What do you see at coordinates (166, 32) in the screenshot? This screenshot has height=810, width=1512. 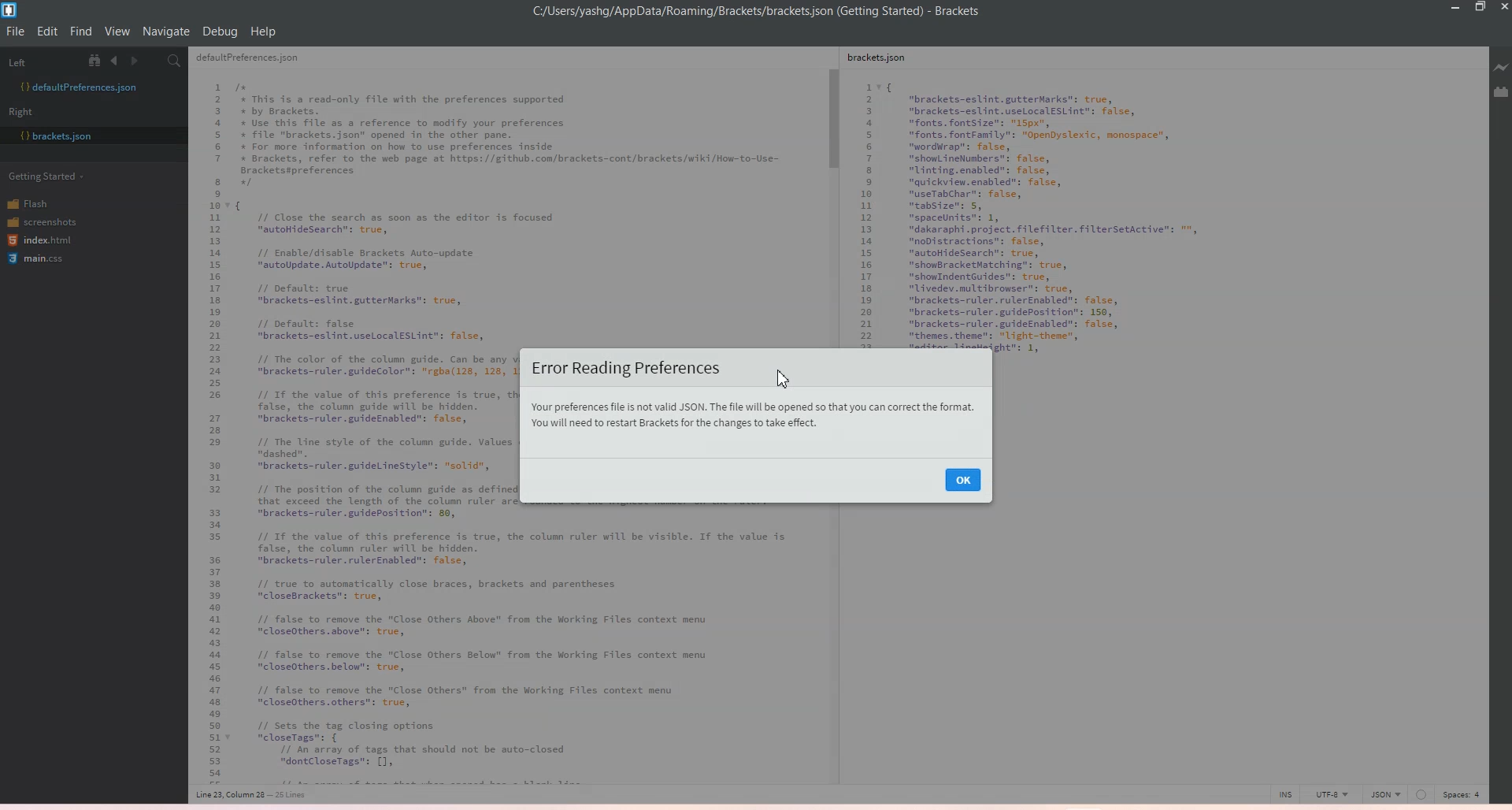 I see `Navigate` at bounding box center [166, 32].